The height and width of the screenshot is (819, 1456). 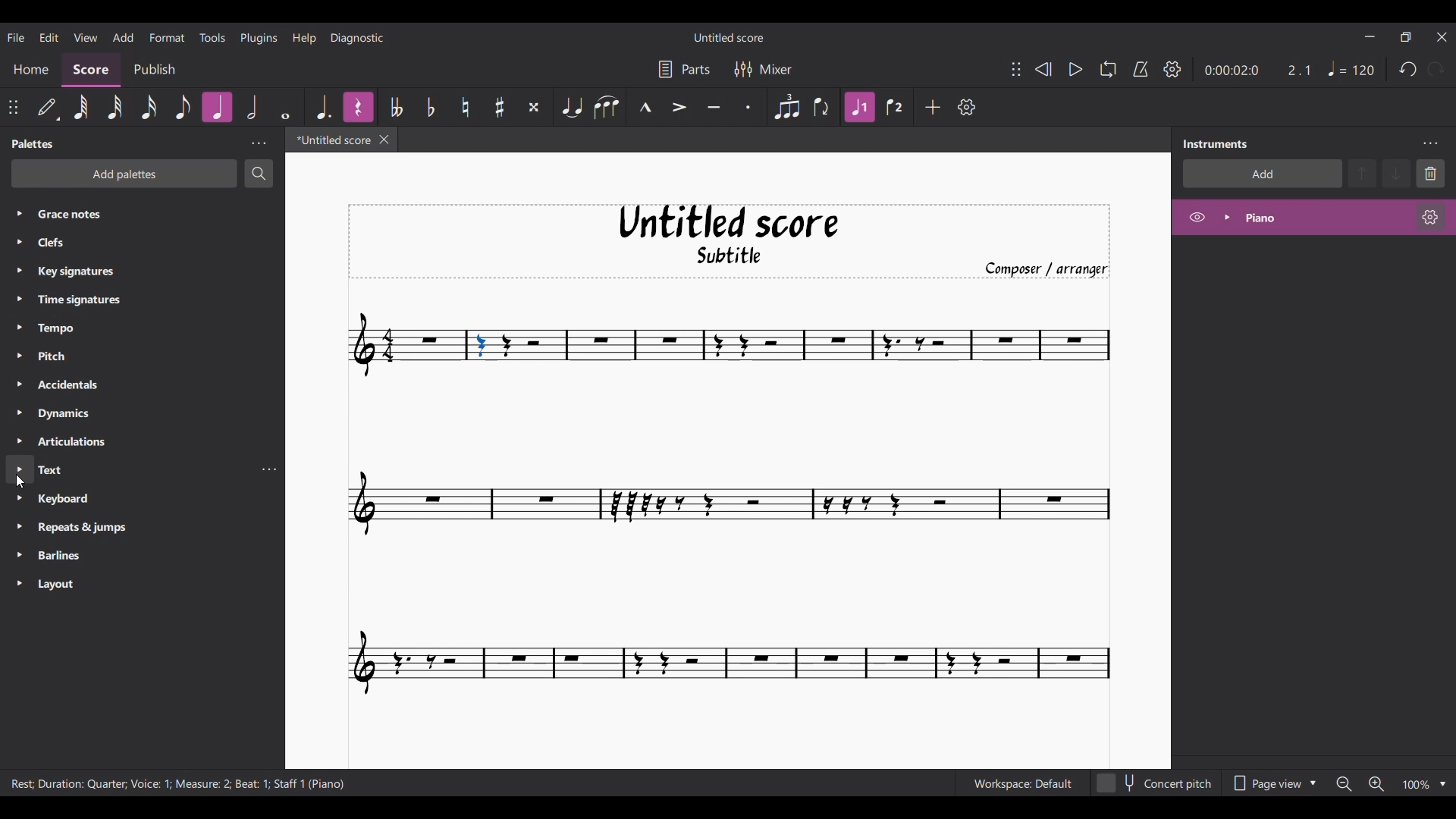 I want to click on Format menu, so click(x=166, y=36).